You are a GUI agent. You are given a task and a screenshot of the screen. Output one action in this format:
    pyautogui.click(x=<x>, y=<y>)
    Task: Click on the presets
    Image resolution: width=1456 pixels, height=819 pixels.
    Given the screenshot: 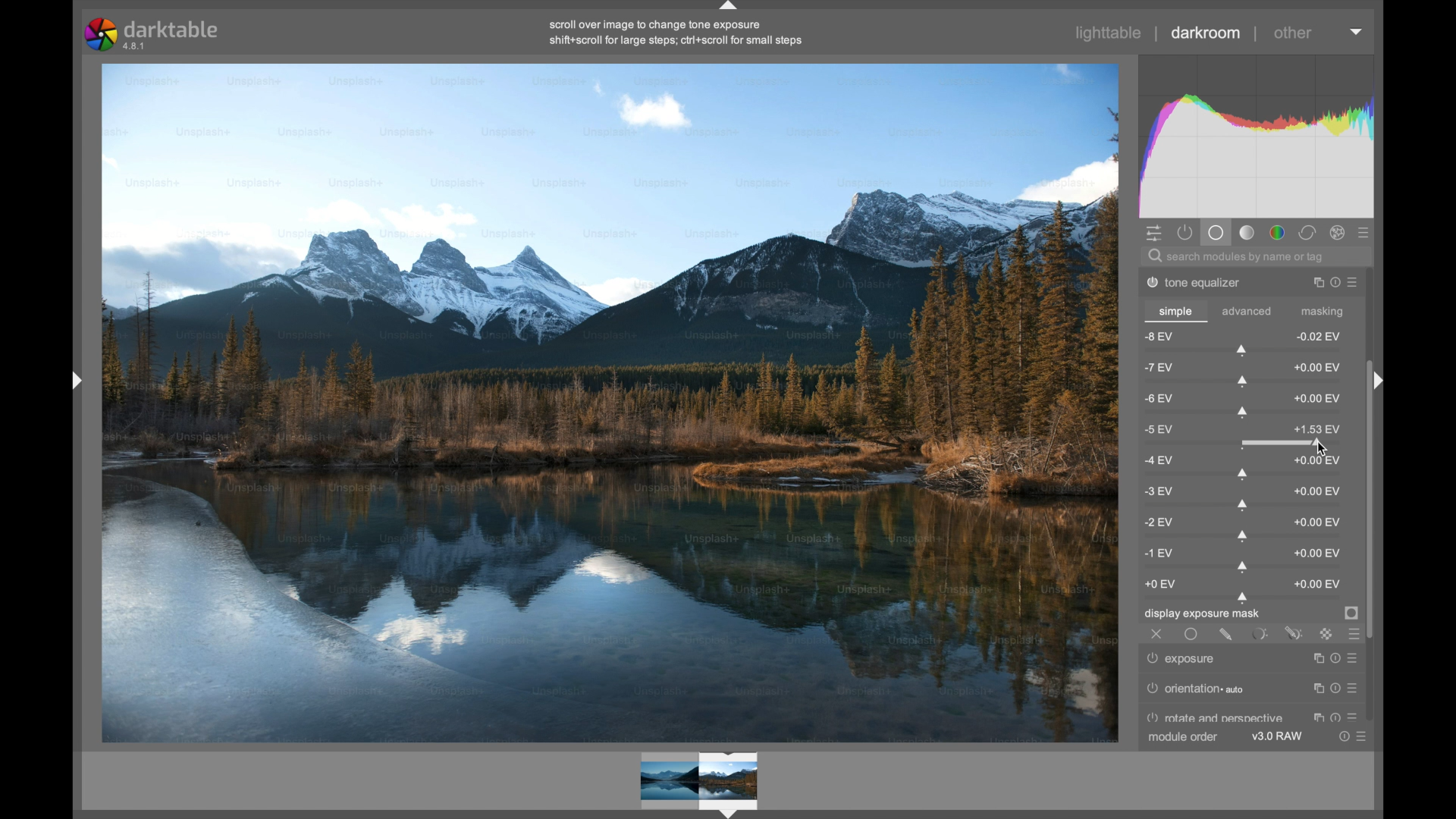 What is the action you would take?
    pyautogui.click(x=1357, y=280)
    